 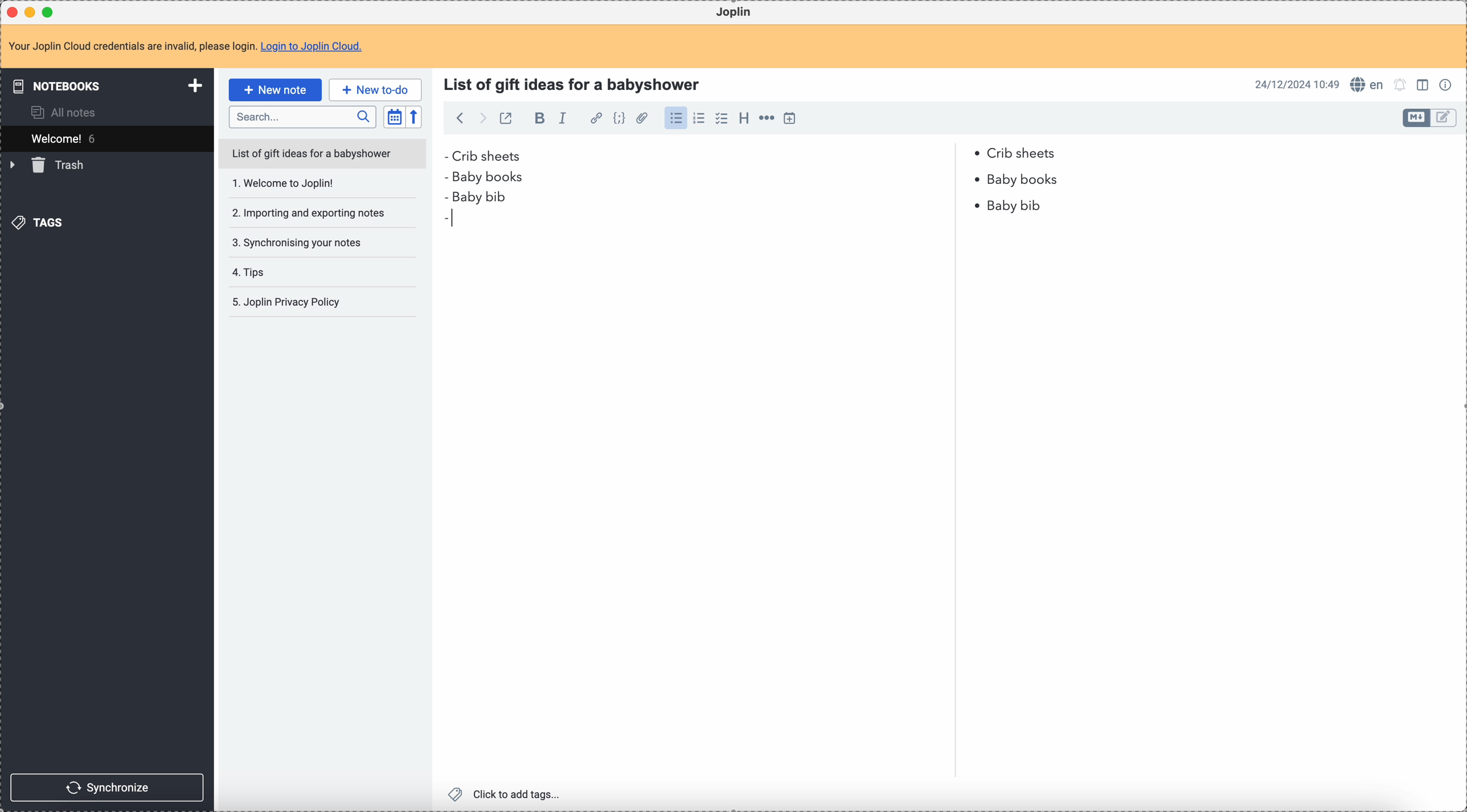 I want to click on joplin privacy policy, so click(x=290, y=304).